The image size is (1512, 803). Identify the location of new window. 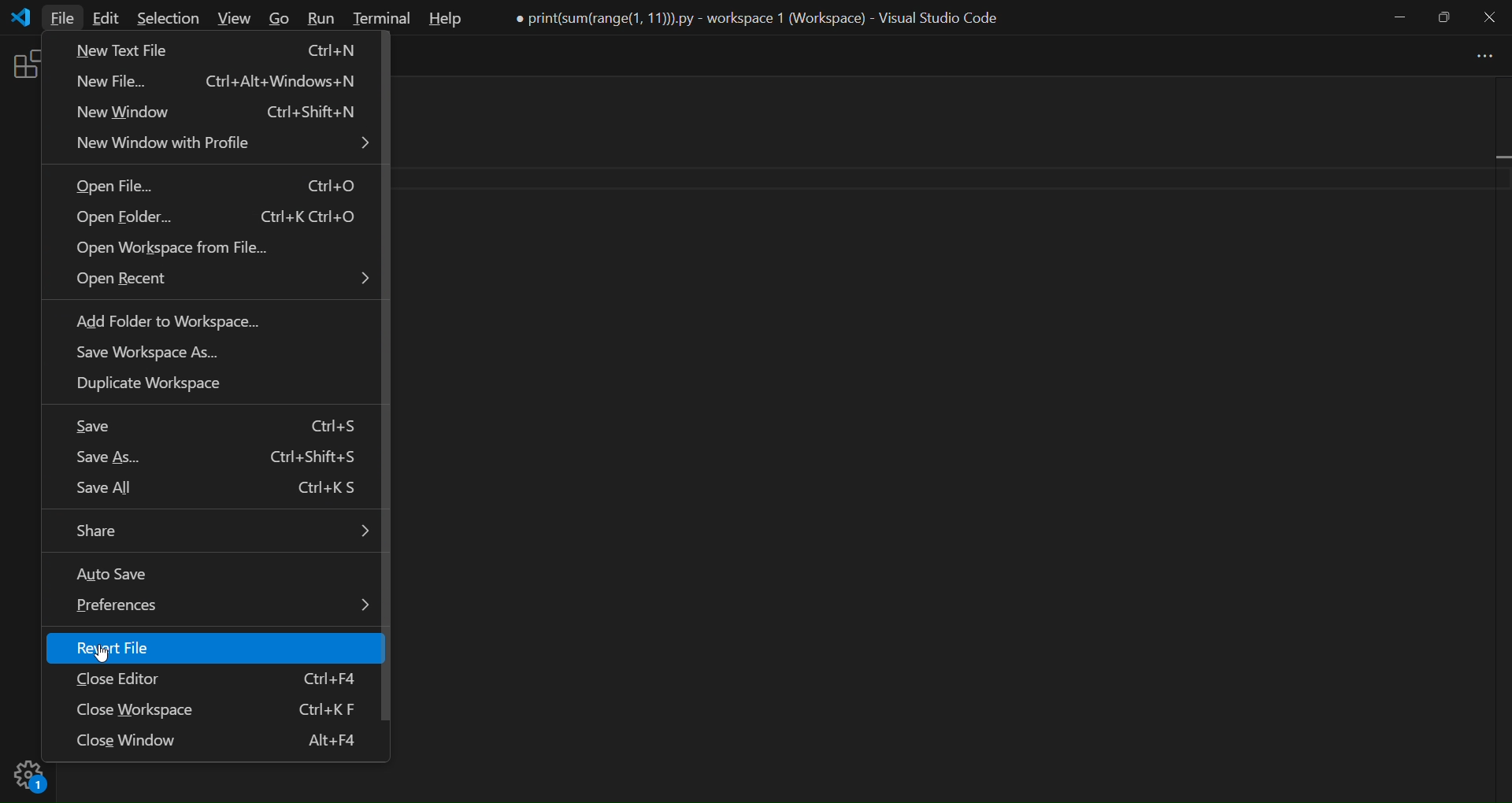
(219, 115).